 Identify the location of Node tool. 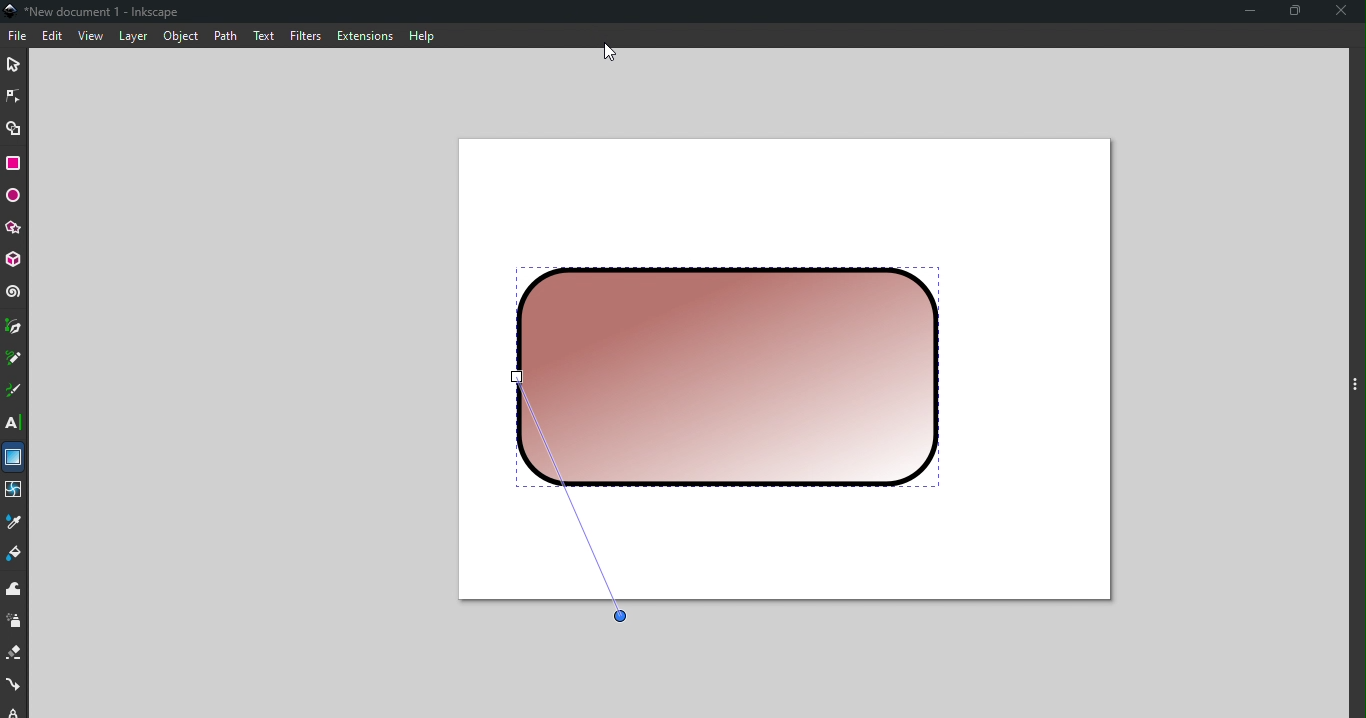
(16, 93).